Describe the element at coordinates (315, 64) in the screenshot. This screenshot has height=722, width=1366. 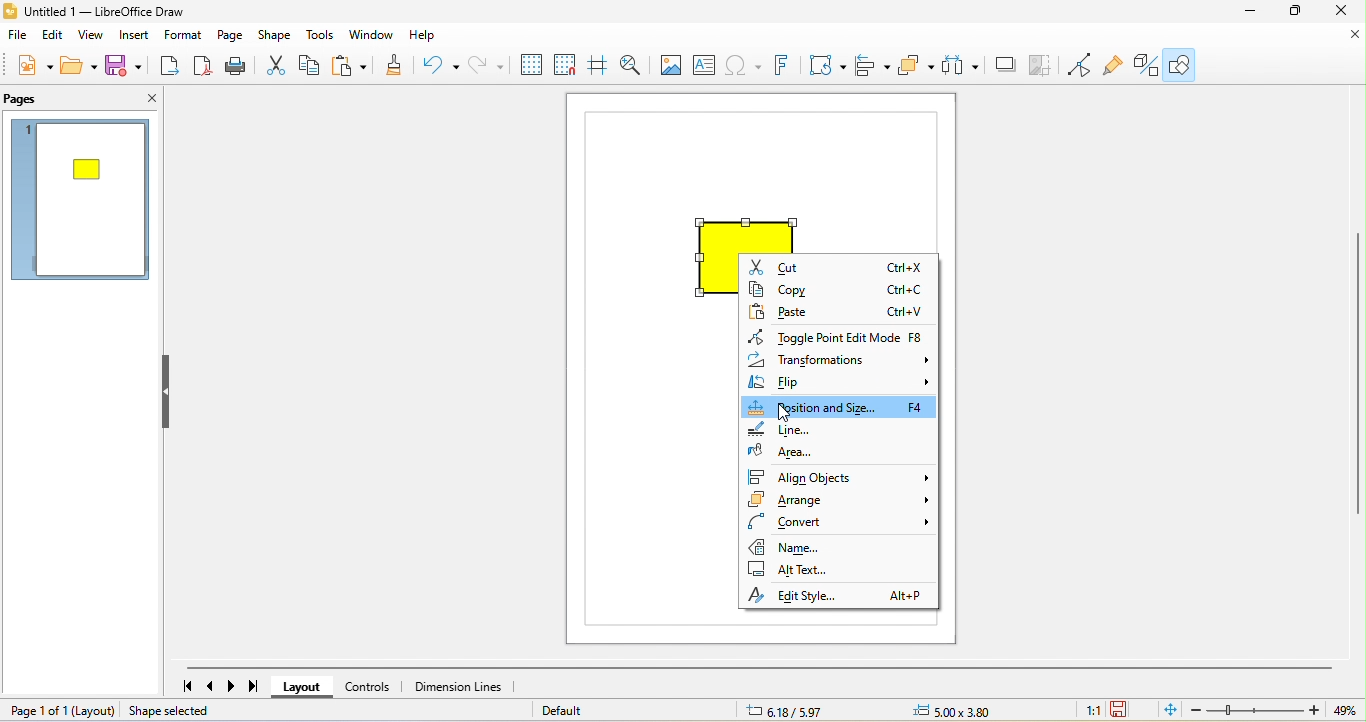
I see `copy` at that location.